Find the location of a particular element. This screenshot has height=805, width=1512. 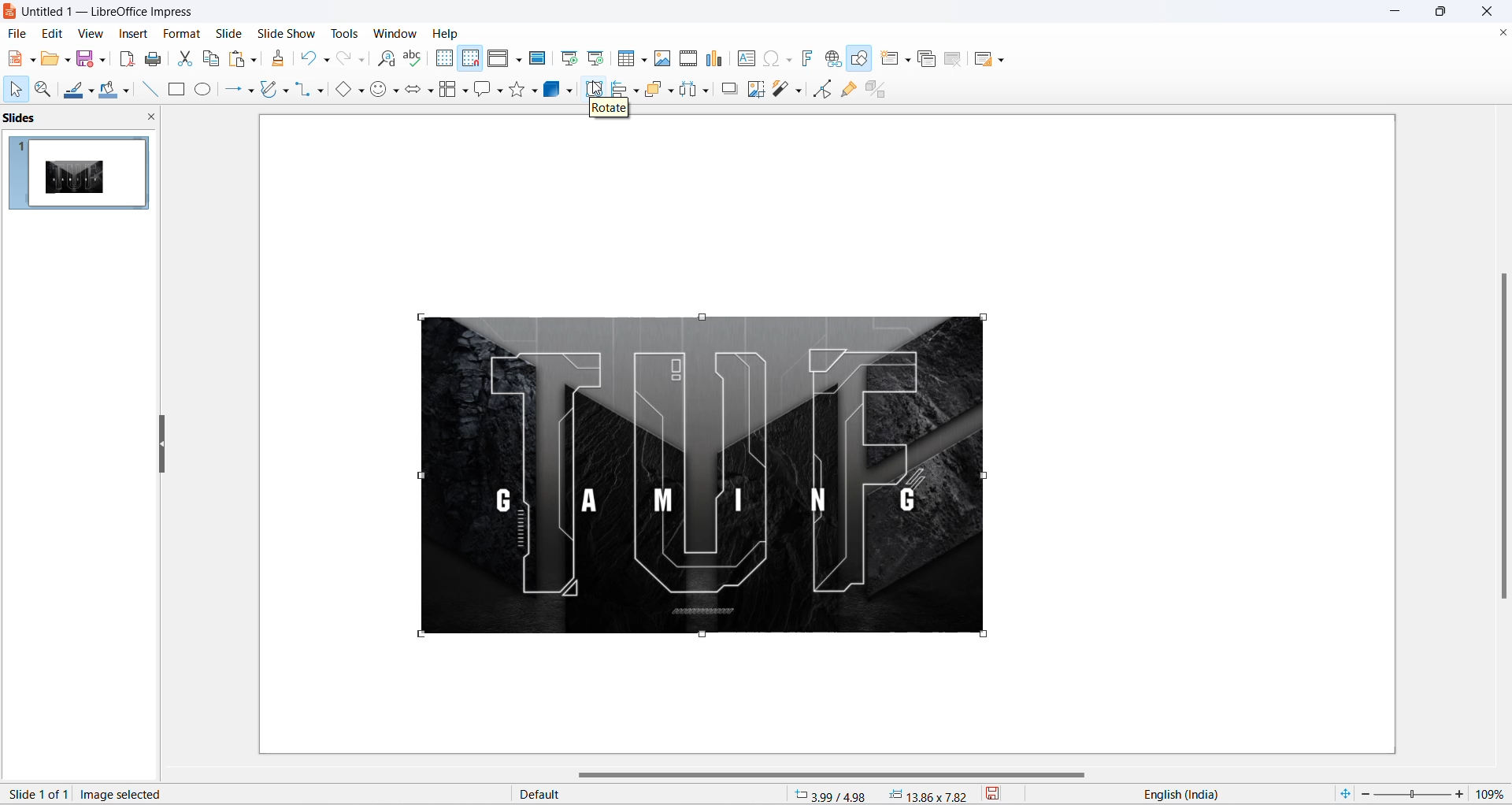

star options is located at coordinates (536, 91).